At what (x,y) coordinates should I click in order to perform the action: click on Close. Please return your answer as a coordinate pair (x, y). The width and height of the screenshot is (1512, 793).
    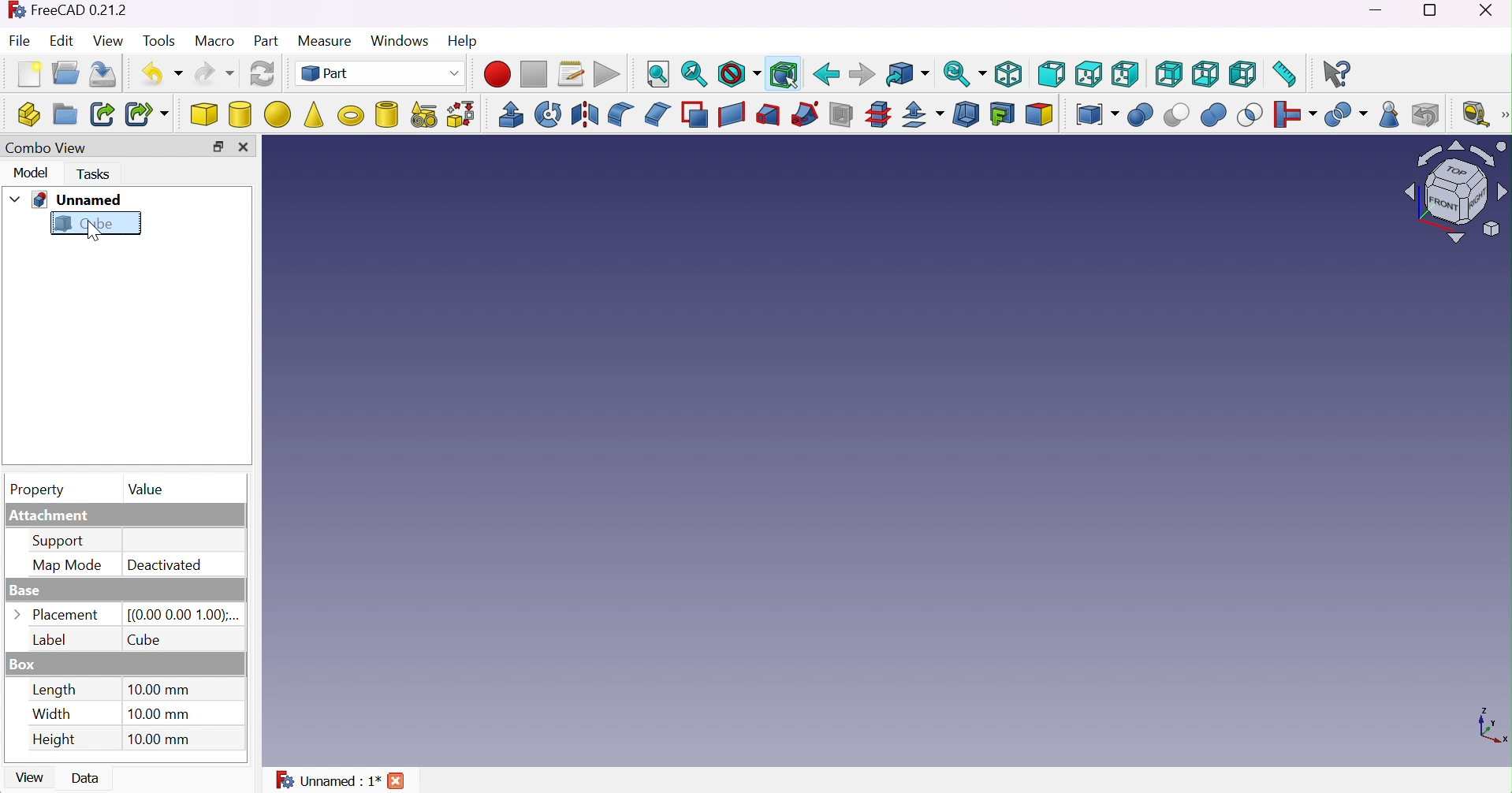
    Looking at the image, I should click on (400, 782).